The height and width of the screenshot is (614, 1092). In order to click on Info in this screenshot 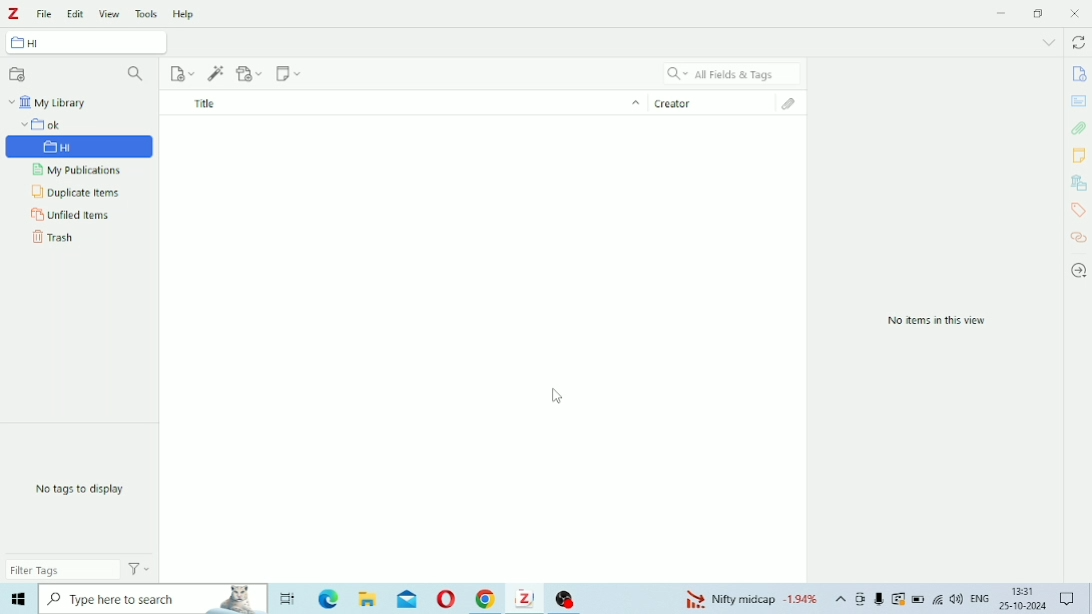, I will do `click(1078, 74)`.